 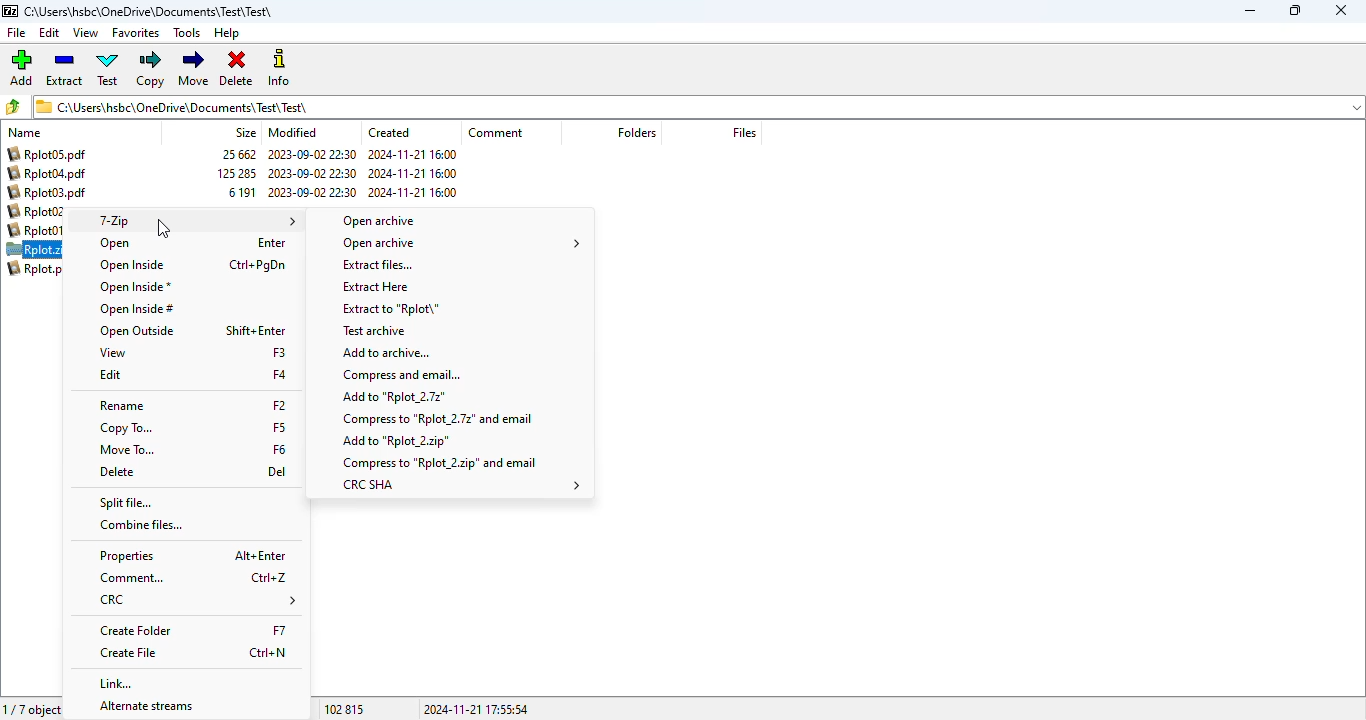 I want to click on size, so click(x=245, y=132).